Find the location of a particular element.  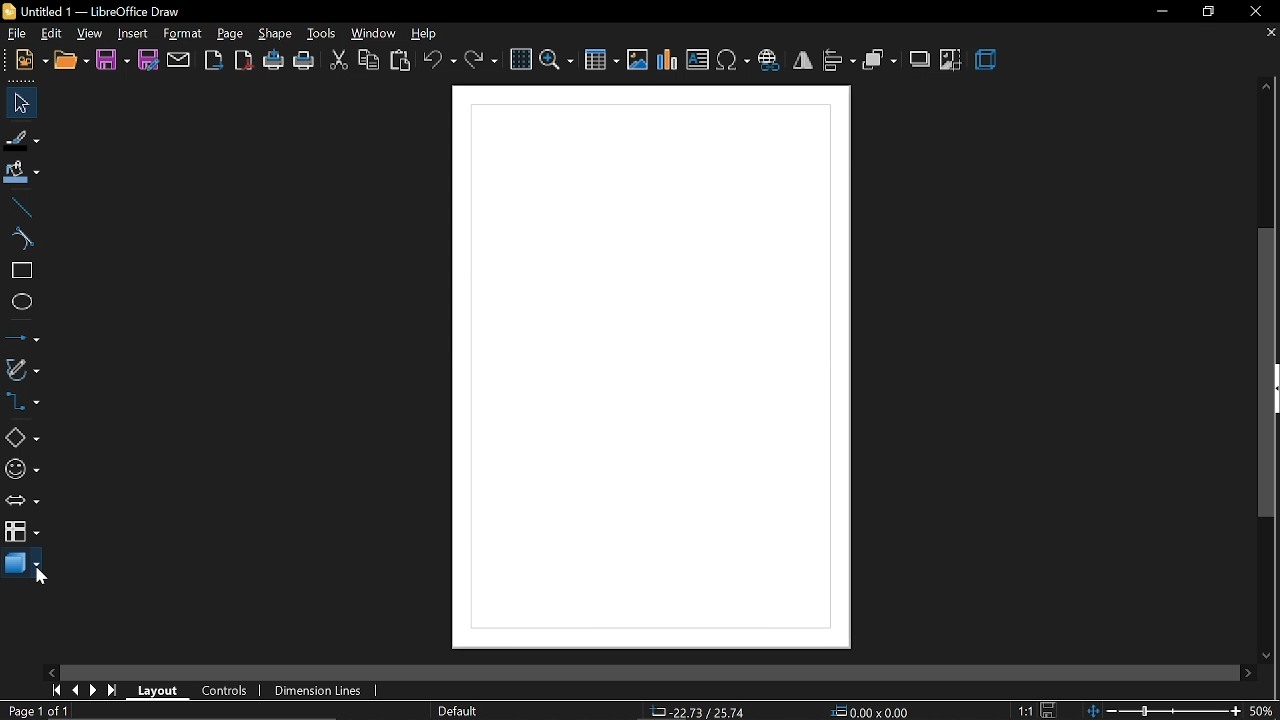

Untitled 1 — LibreOffice Draw is located at coordinates (99, 12).